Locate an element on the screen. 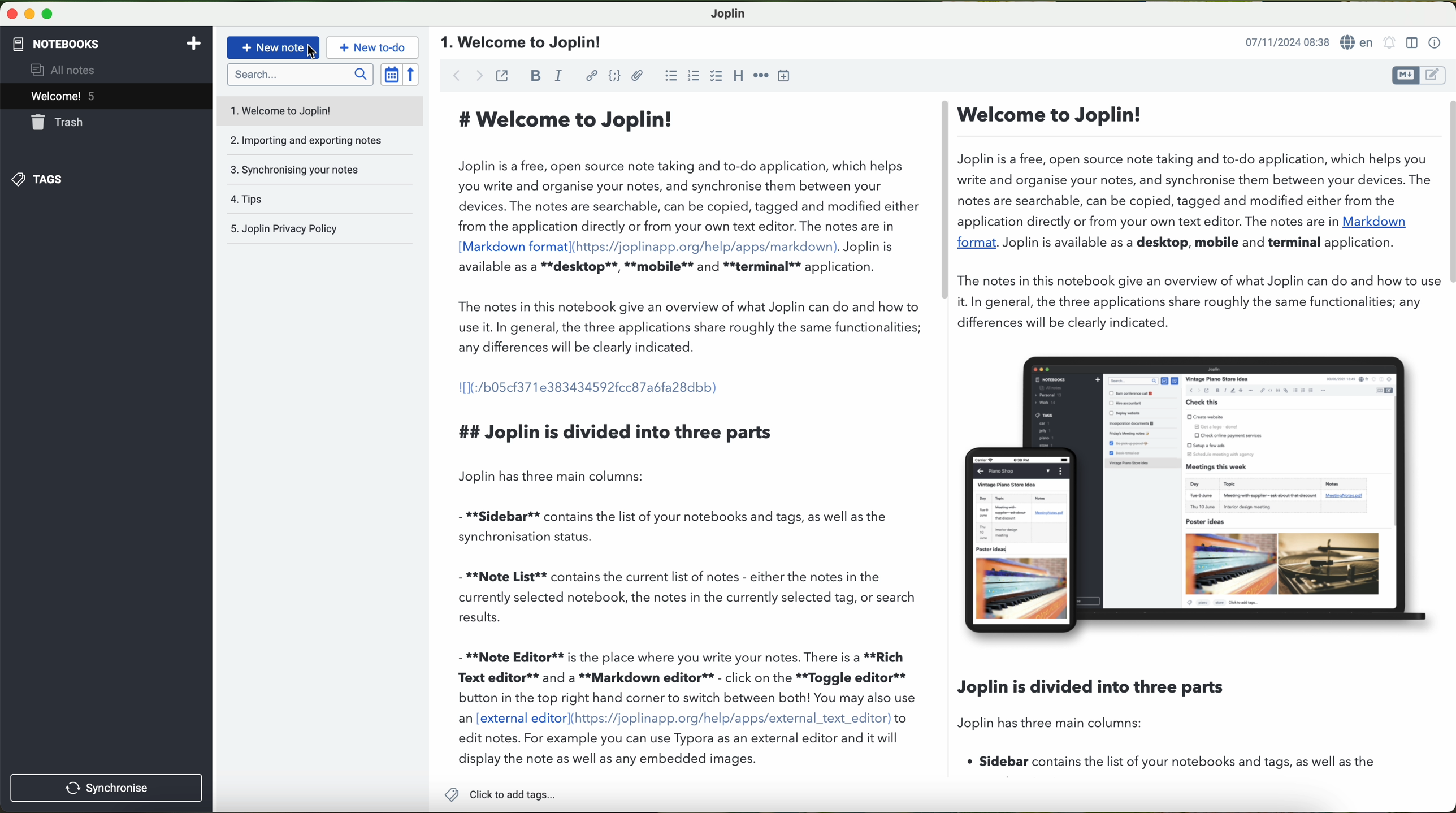  forward is located at coordinates (479, 75).